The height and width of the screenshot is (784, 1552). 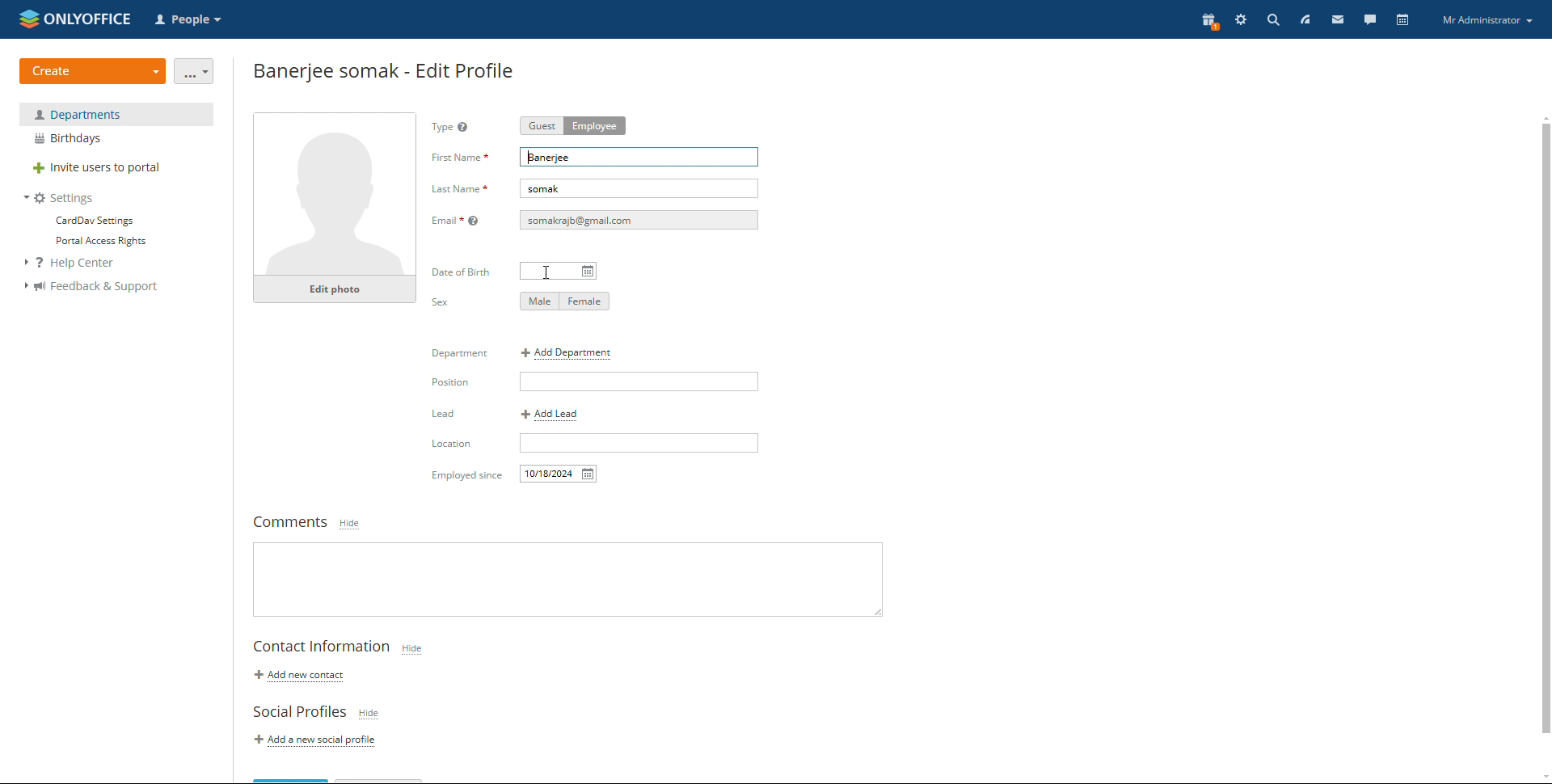 What do you see at coordinates (116, 139) in the screenshot?
I see `birthdays` at bounding box center [116, 139].